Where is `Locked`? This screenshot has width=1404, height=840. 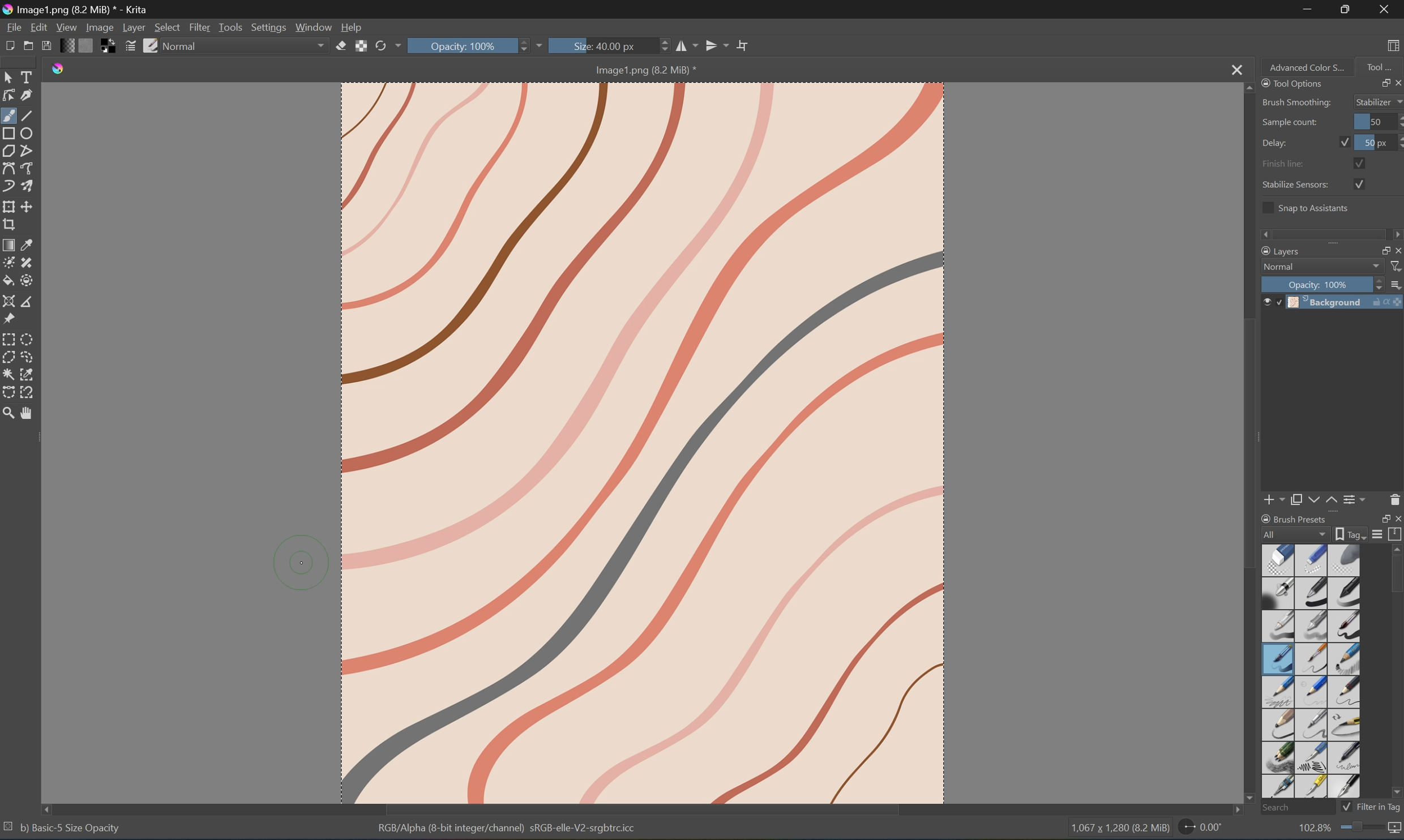 Locked is located at coordinates (1279, 302).